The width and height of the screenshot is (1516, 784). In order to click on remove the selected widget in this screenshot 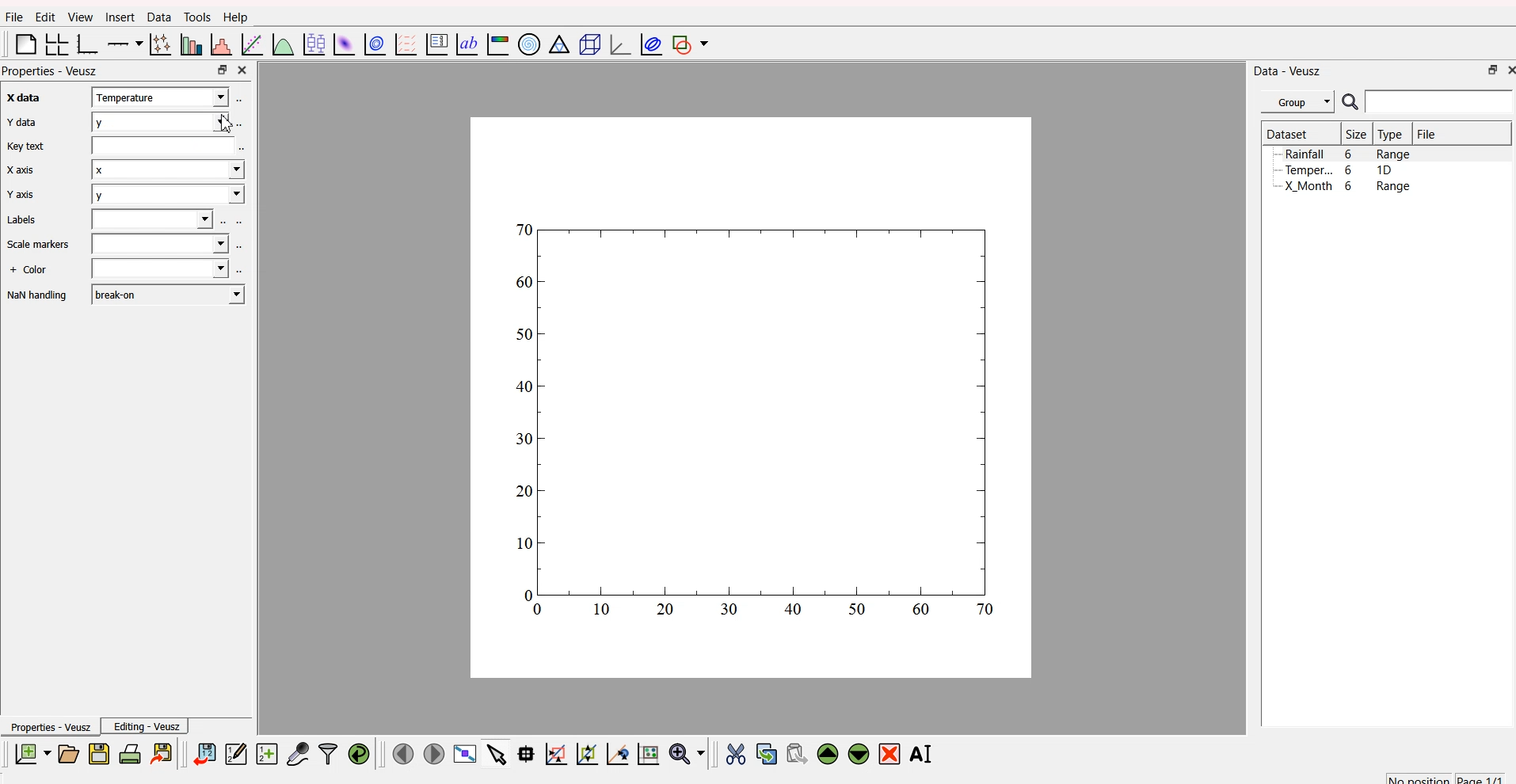, I will do `click(890, 754)`.